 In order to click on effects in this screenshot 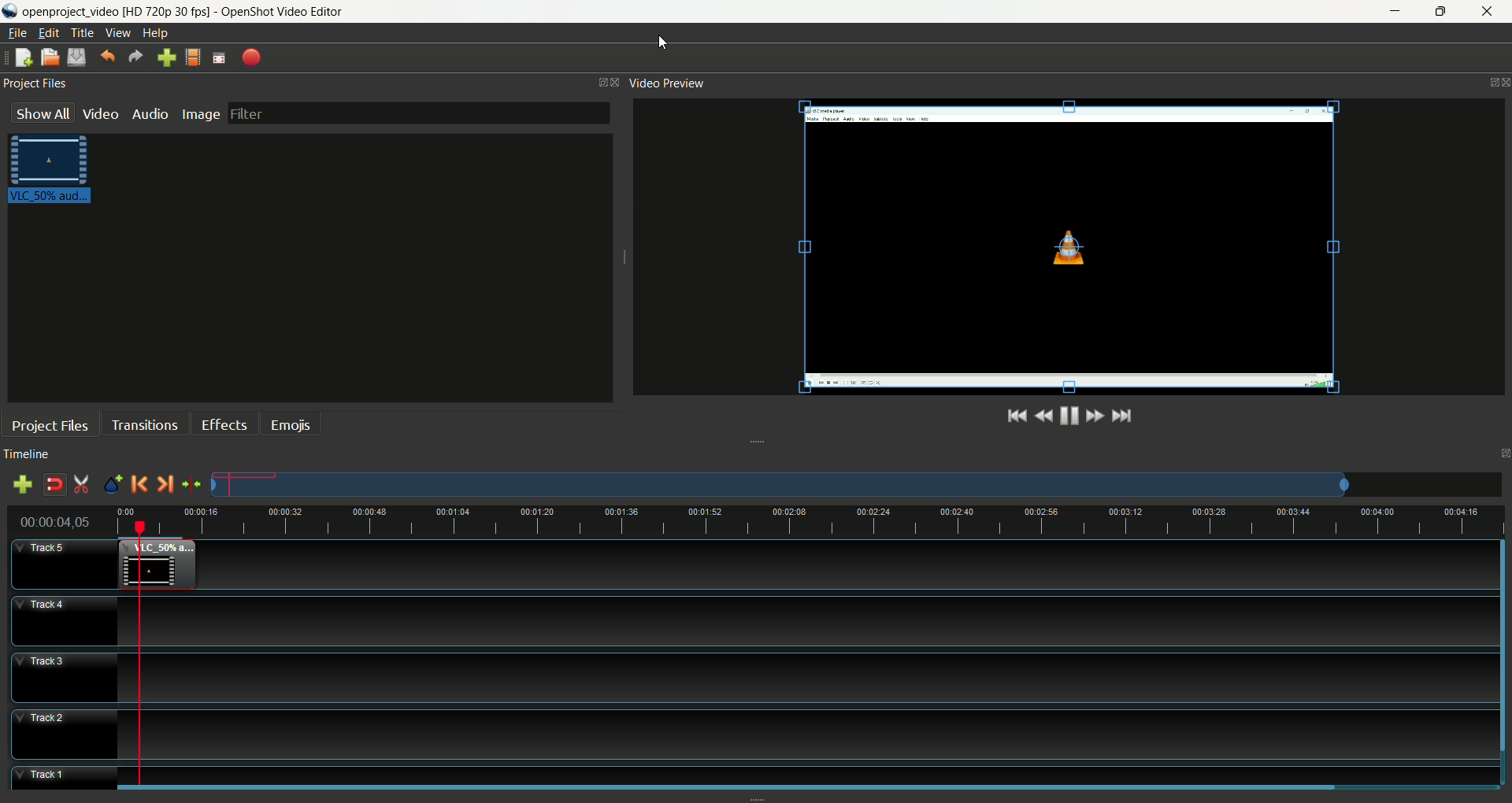, I will do `click(224, 422)`.